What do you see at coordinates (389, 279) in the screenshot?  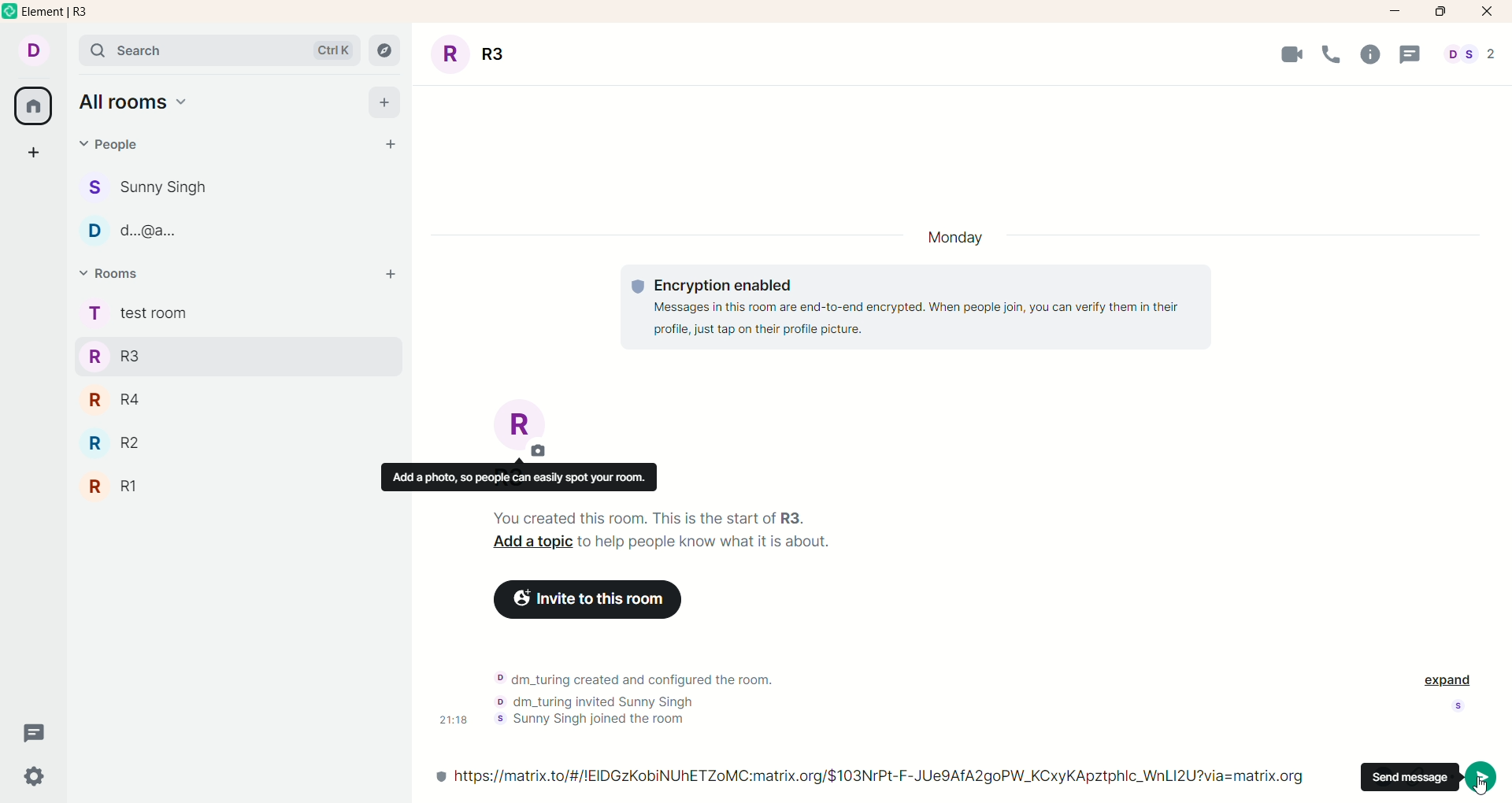 I see `add` at bounding box center [389, 279].